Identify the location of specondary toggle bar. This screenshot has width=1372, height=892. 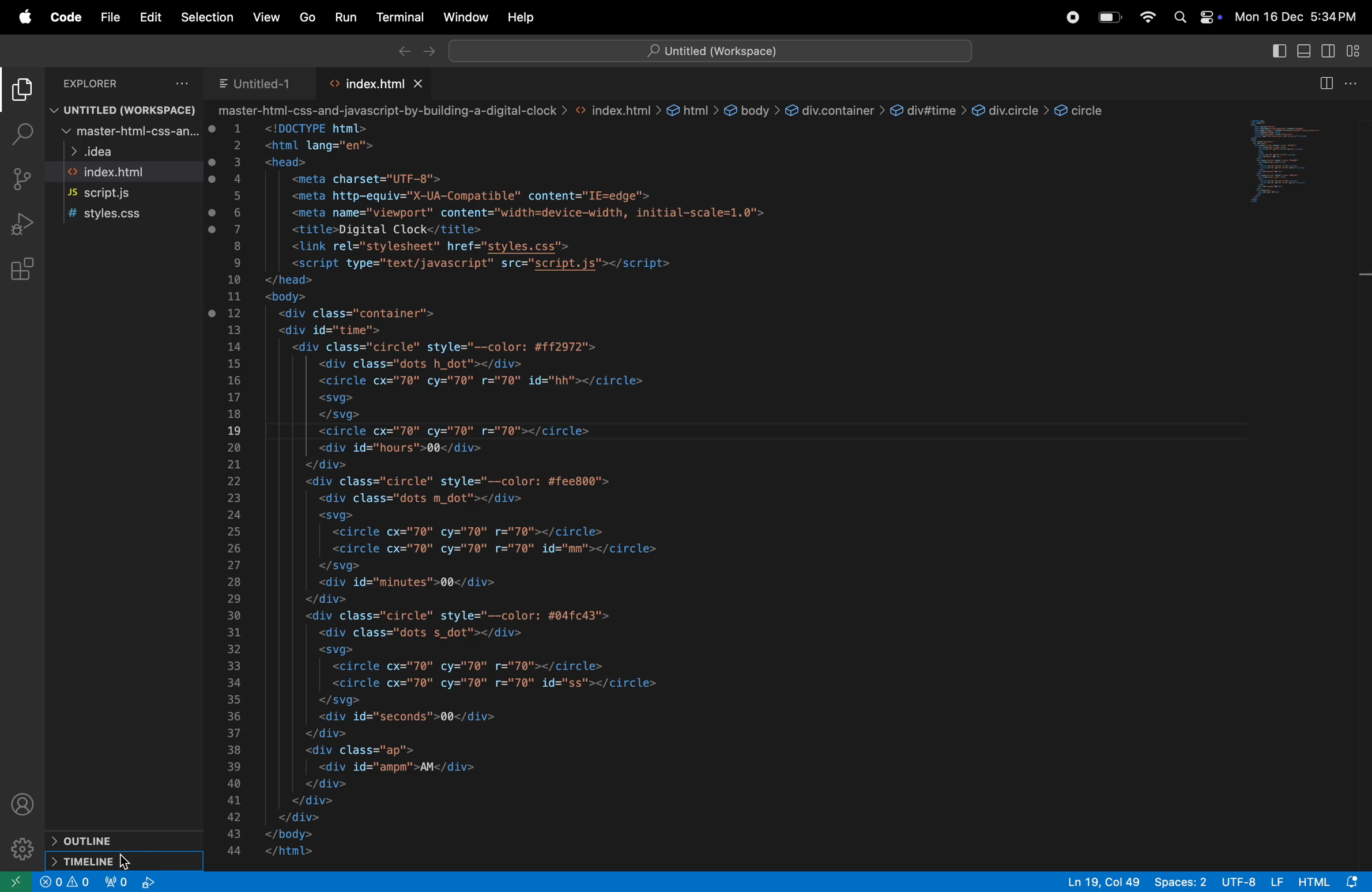
(1329, 51).